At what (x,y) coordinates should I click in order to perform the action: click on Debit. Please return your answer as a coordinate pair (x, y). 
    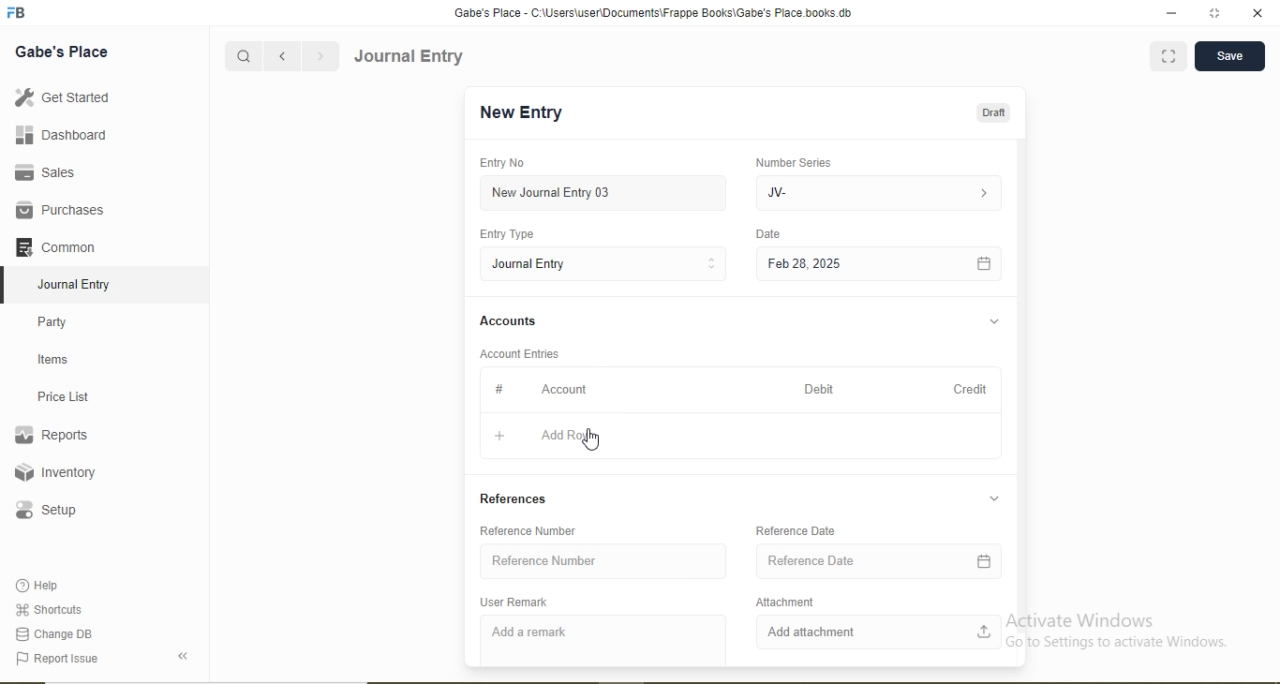
    Looking at the image, I should click on (819, 389).